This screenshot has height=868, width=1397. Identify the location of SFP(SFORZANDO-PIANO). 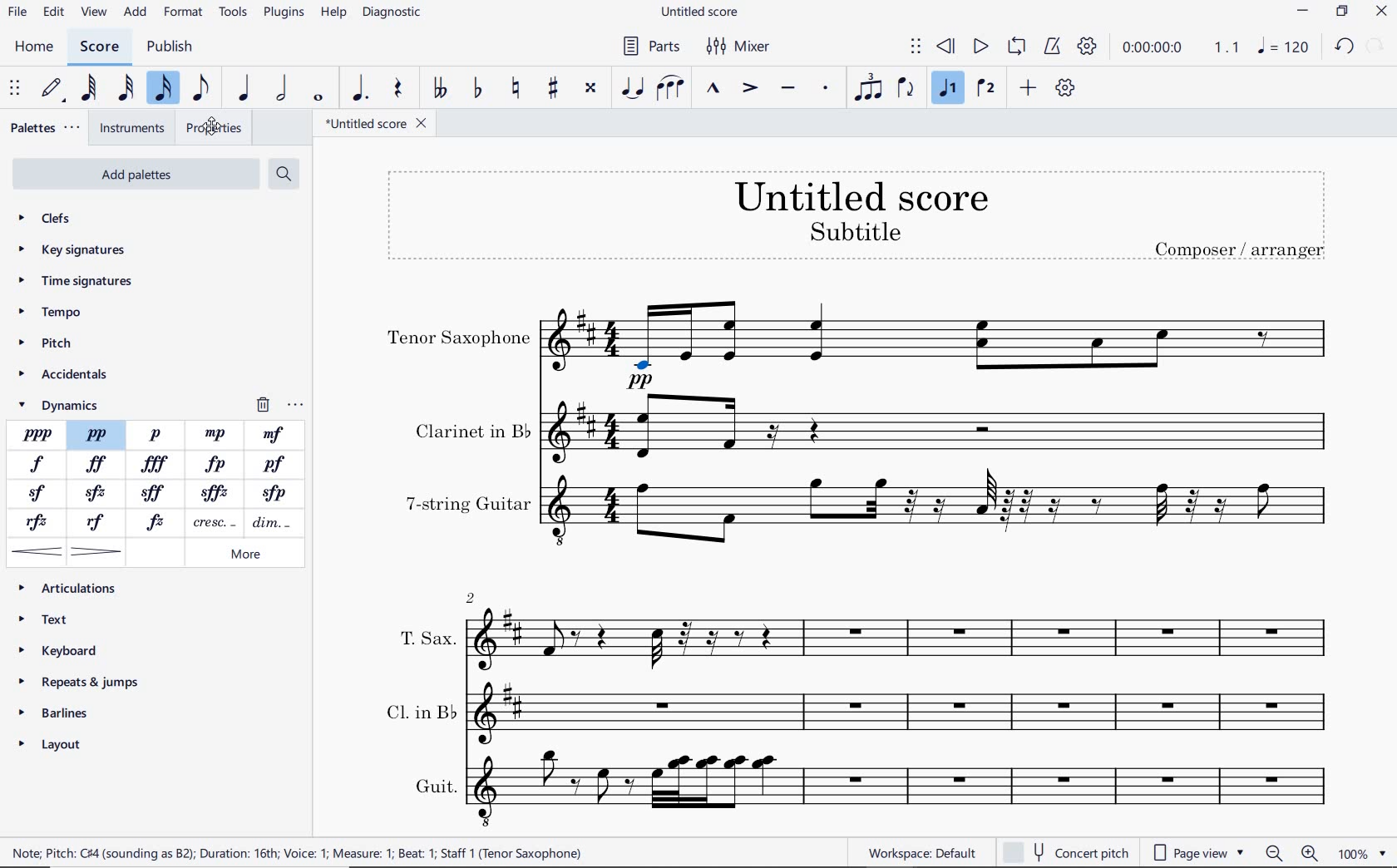
(270, 494).